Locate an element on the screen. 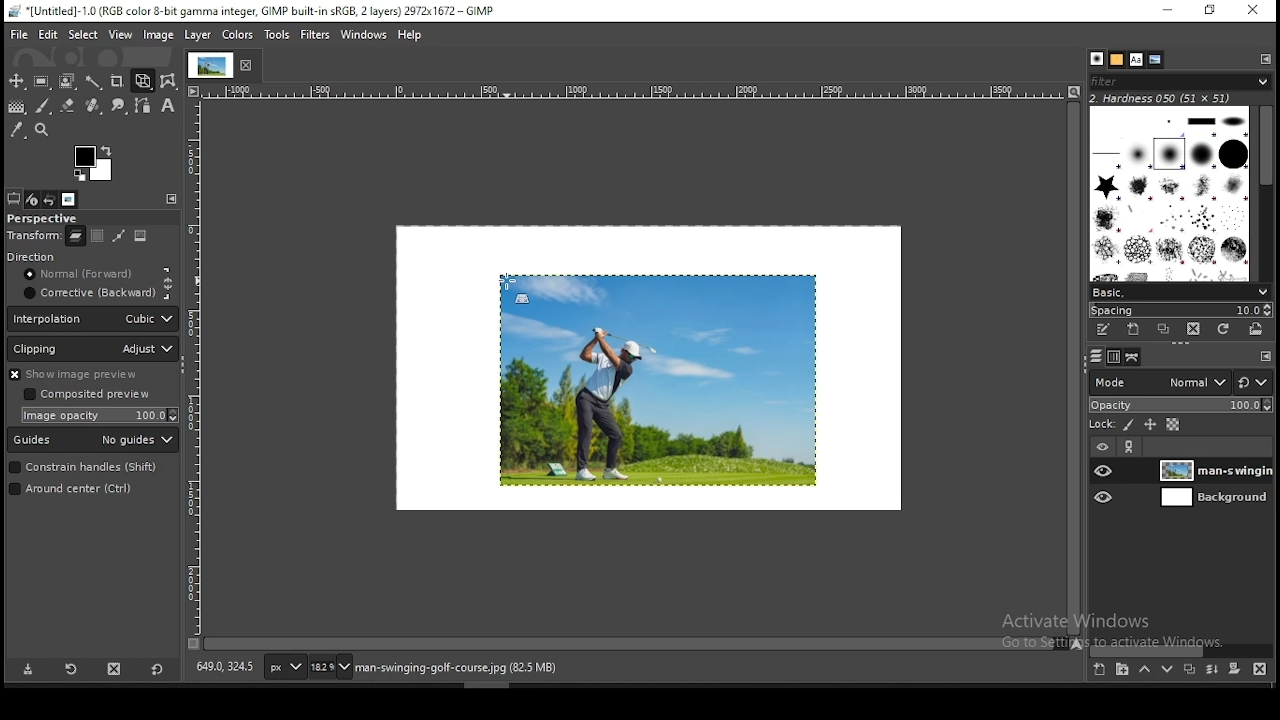 The width and height of the screenshot is (1280, 720). save tool preset is located at coordinates (28, 670).